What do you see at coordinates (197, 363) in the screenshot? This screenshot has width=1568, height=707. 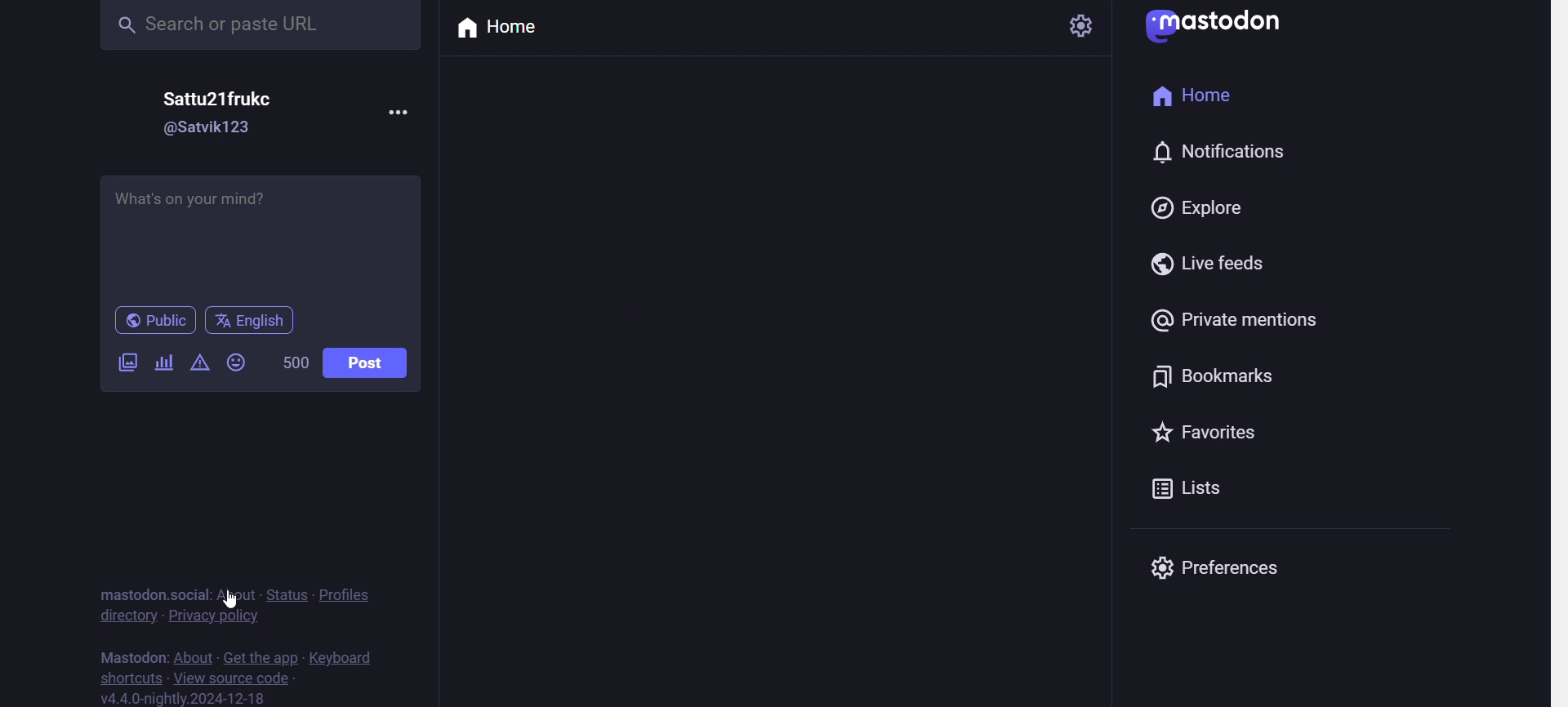 I see `content warning` at bounding box center [197, 363].